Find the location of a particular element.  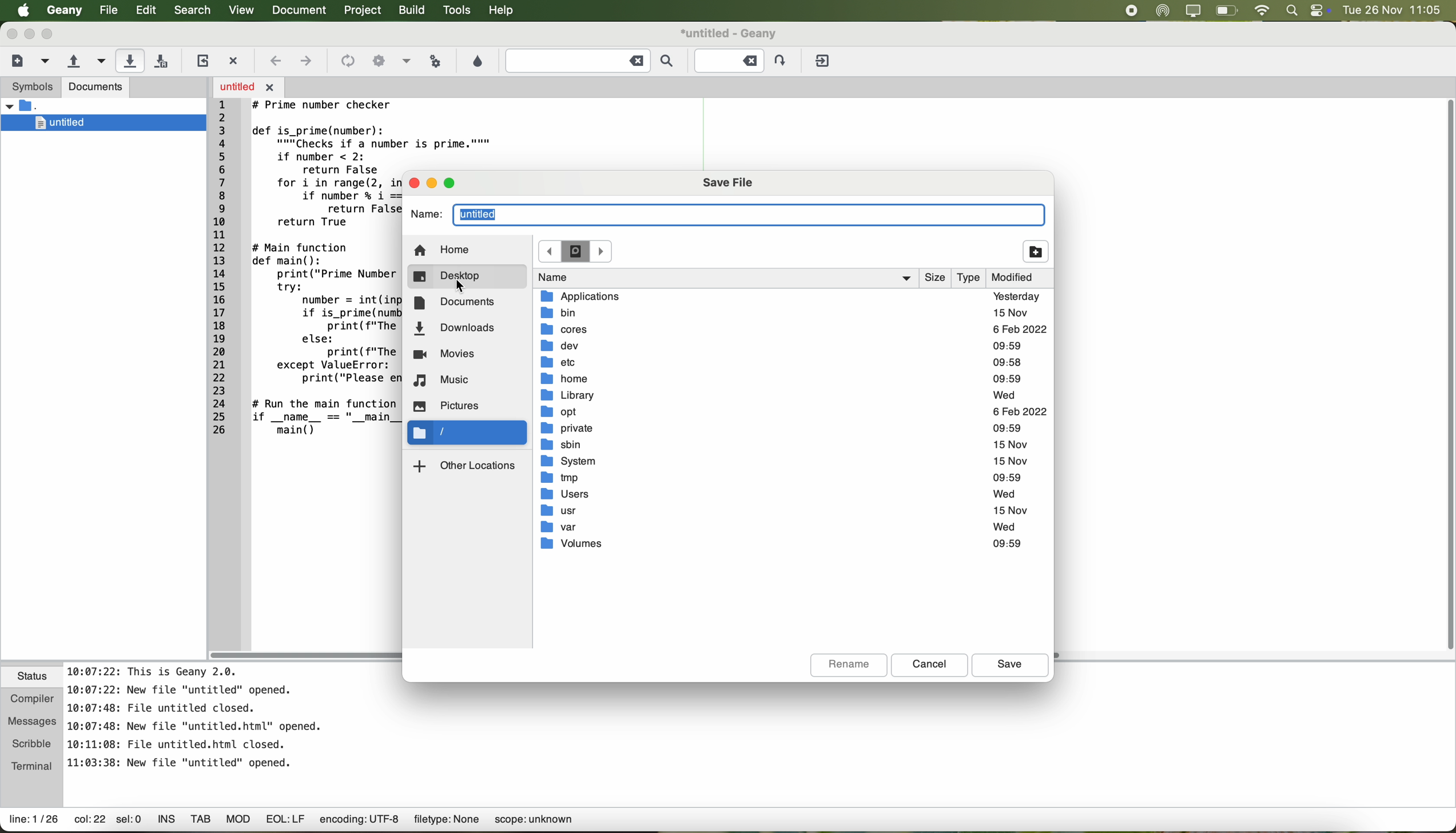

applications is located at coordinates (789, 296).